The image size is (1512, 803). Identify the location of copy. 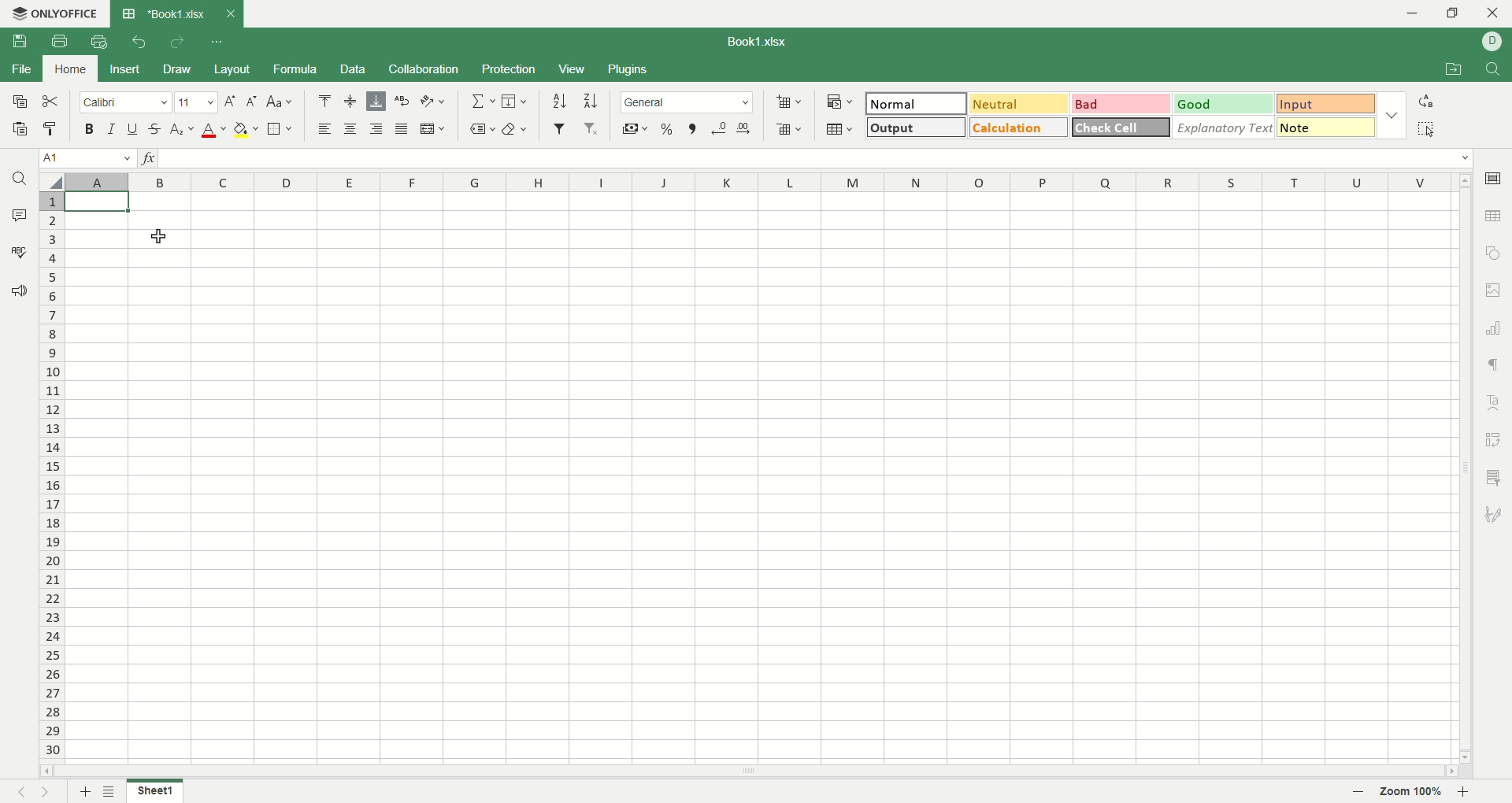
(16, 100).